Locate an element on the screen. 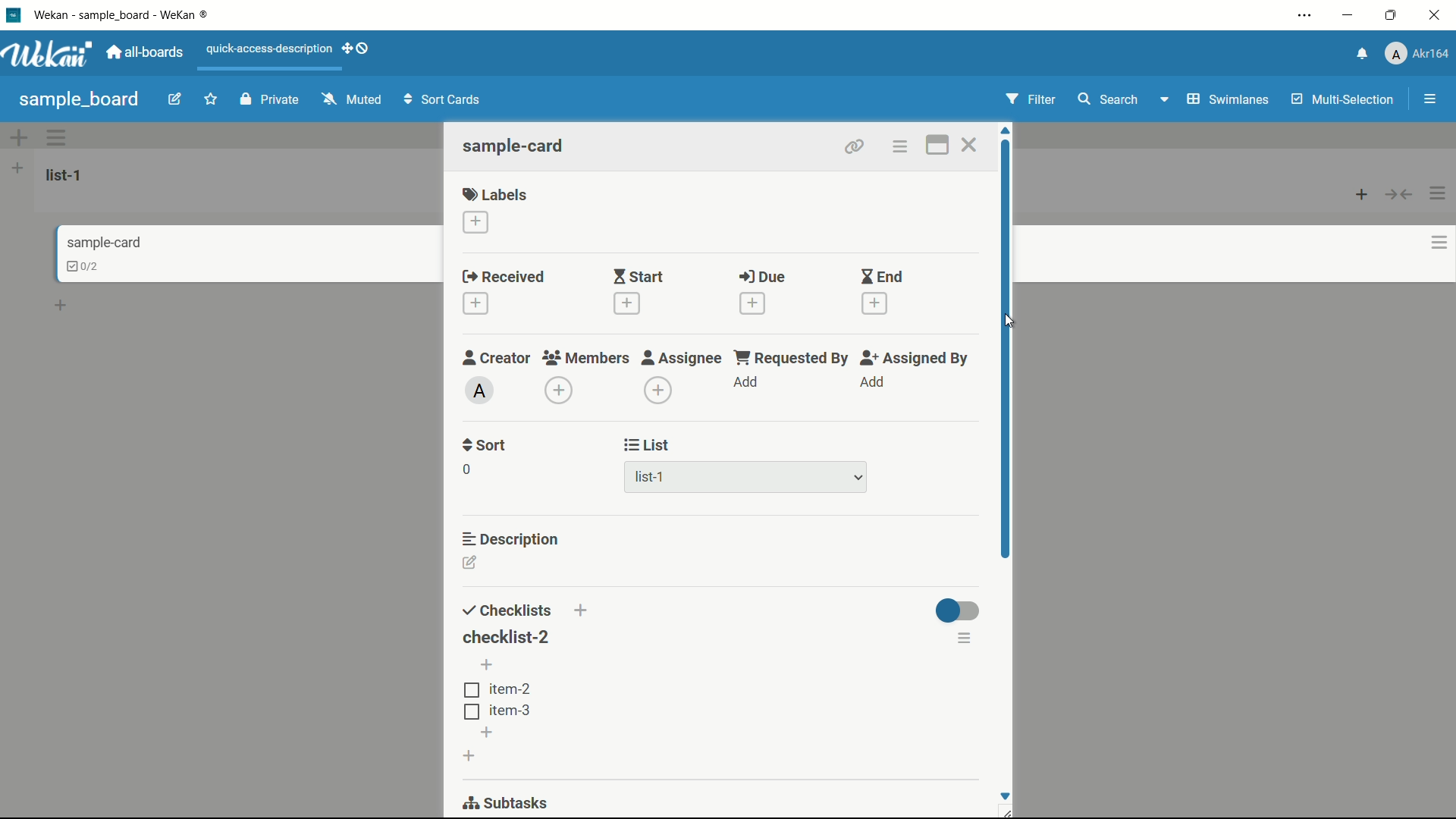 This screenshot has height=819, width=1456. app logo is located at coordinates (52, 55).